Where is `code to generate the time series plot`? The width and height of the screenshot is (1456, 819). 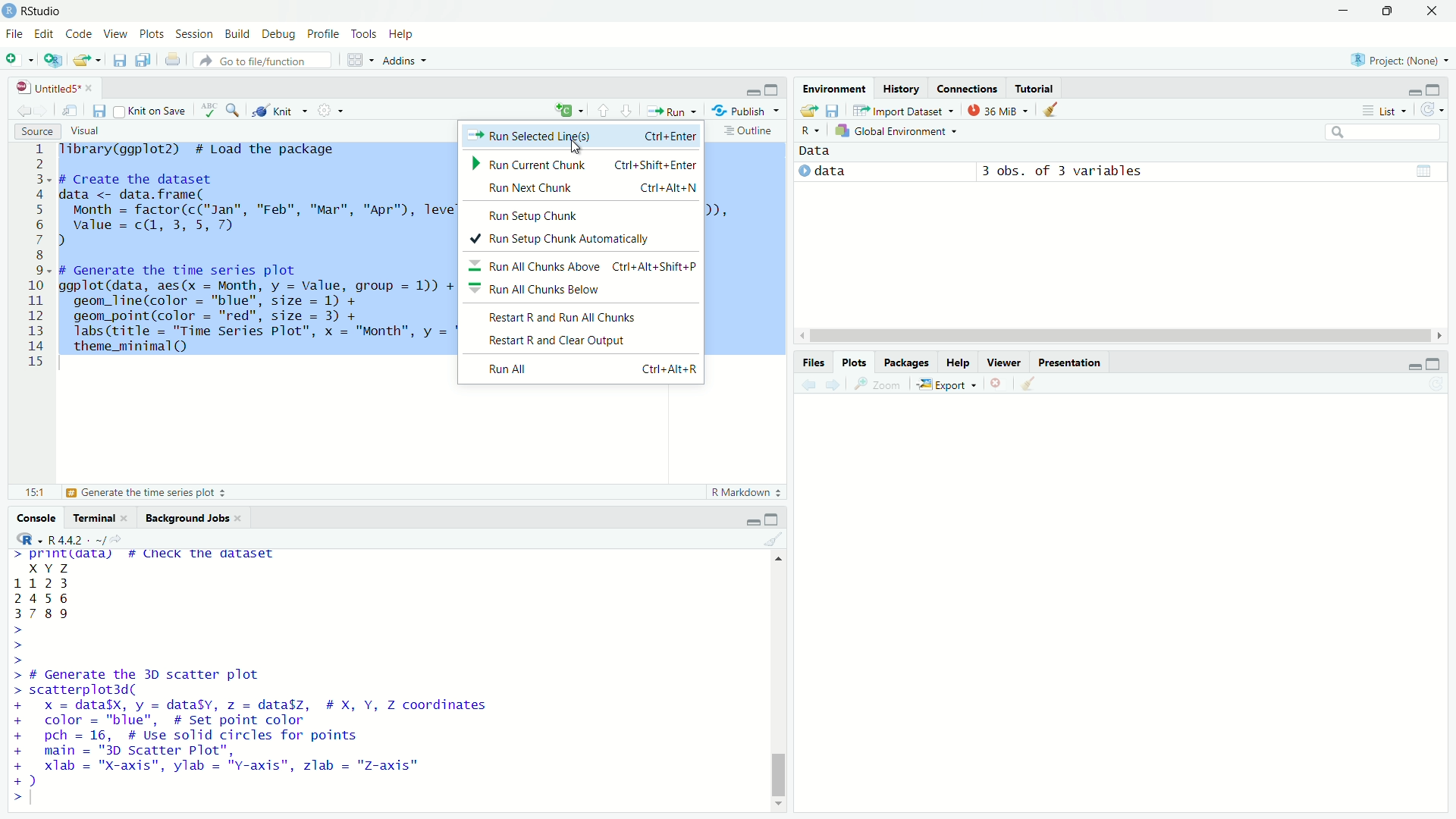 code to generate the time series plot is located at coordinates (255, 306).